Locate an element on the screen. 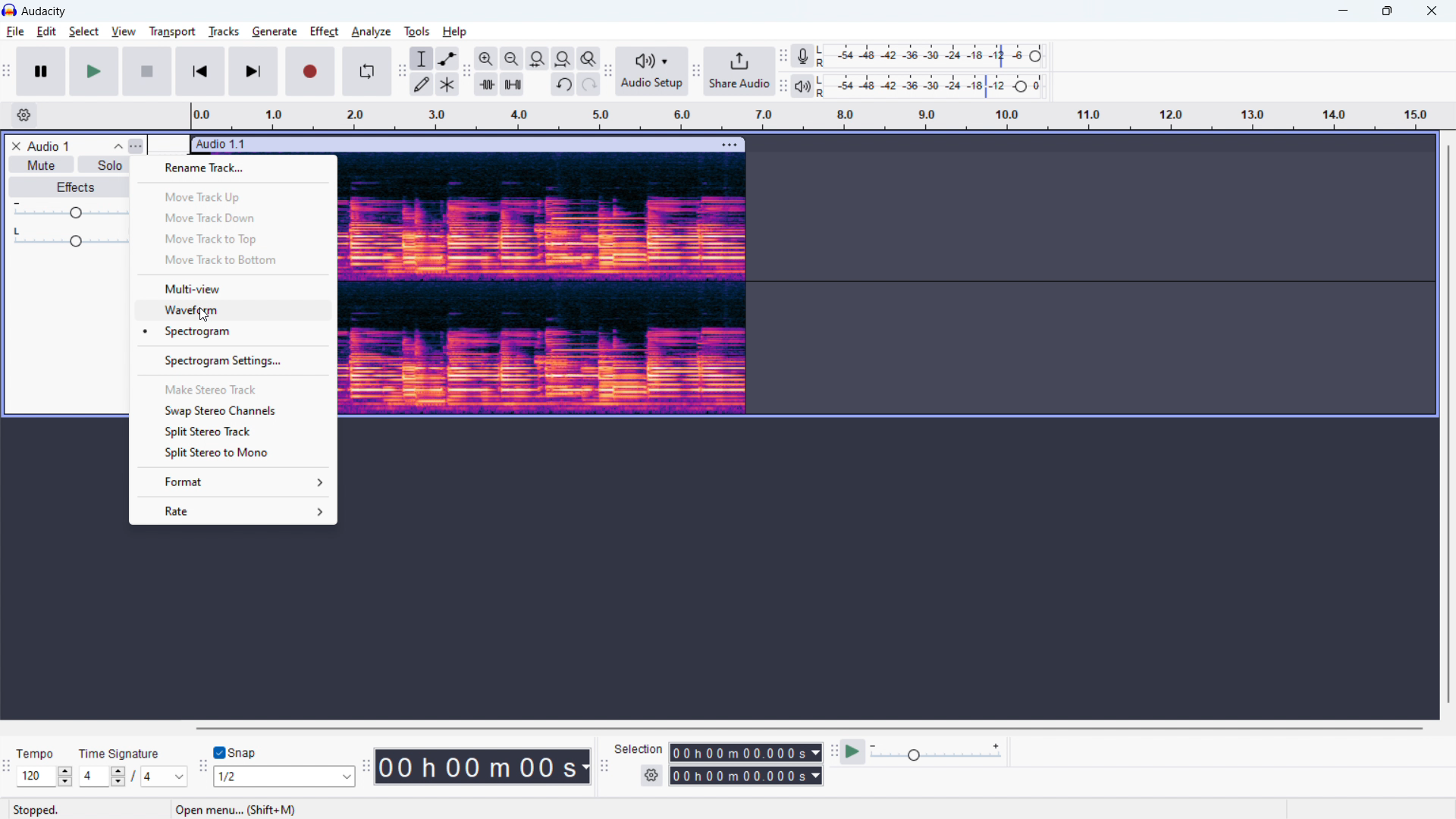  generate is located at coordinates (274, 31).